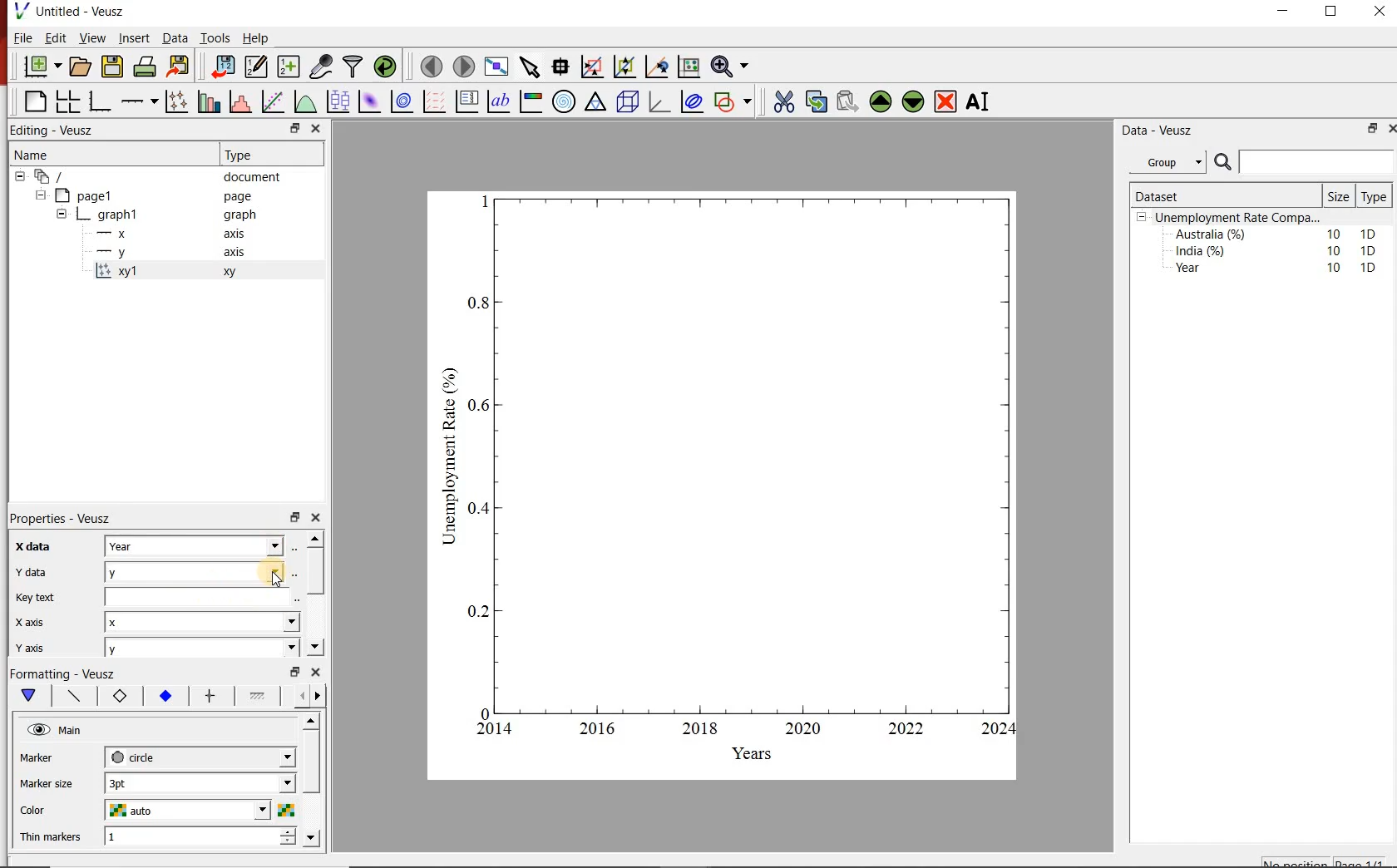 The width and height of the screenshot is (1397, 868). Describe the element at coordinates (260, 155) in the screenshot. I see `Type` at that location.